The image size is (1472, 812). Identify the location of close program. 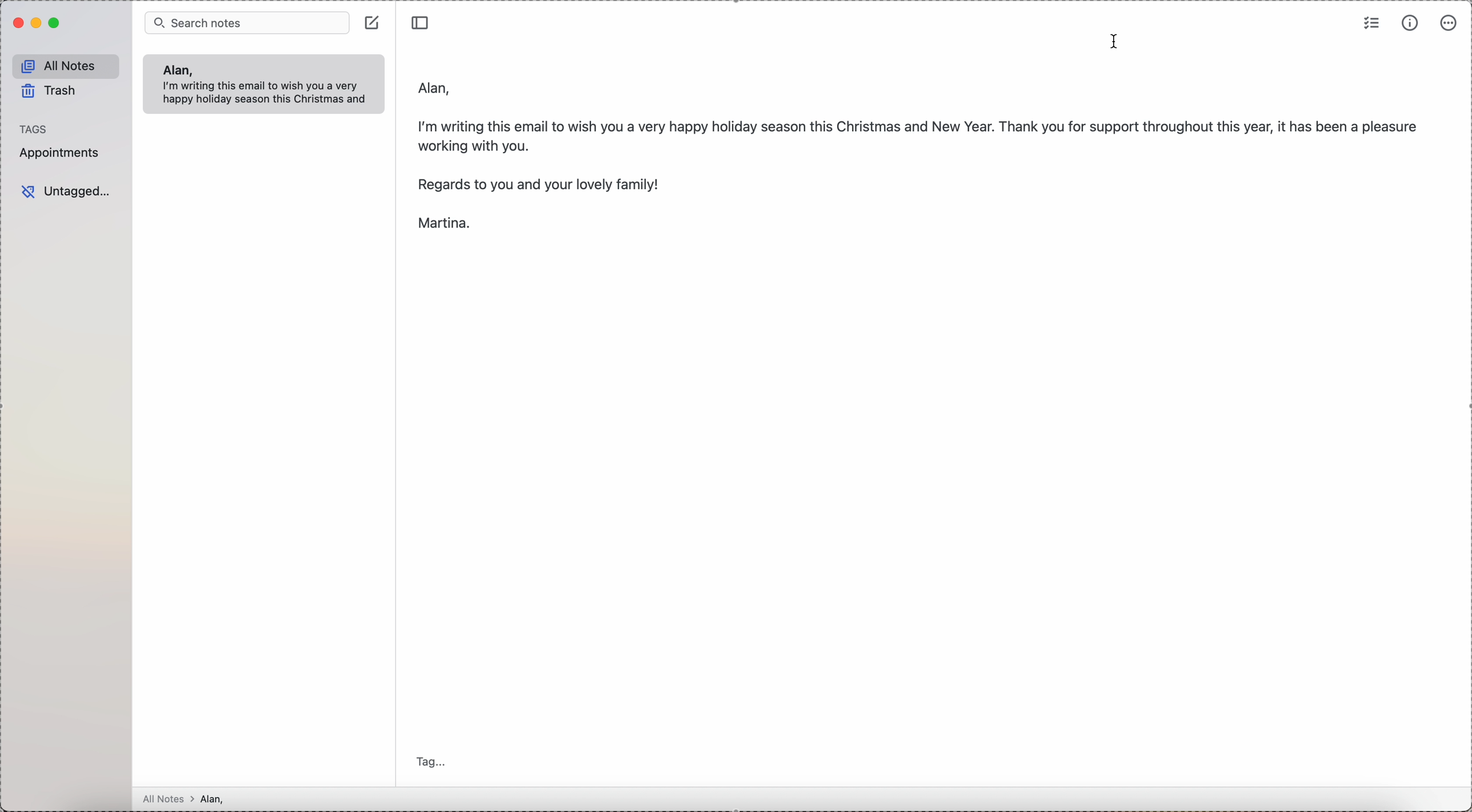
(17, 23).